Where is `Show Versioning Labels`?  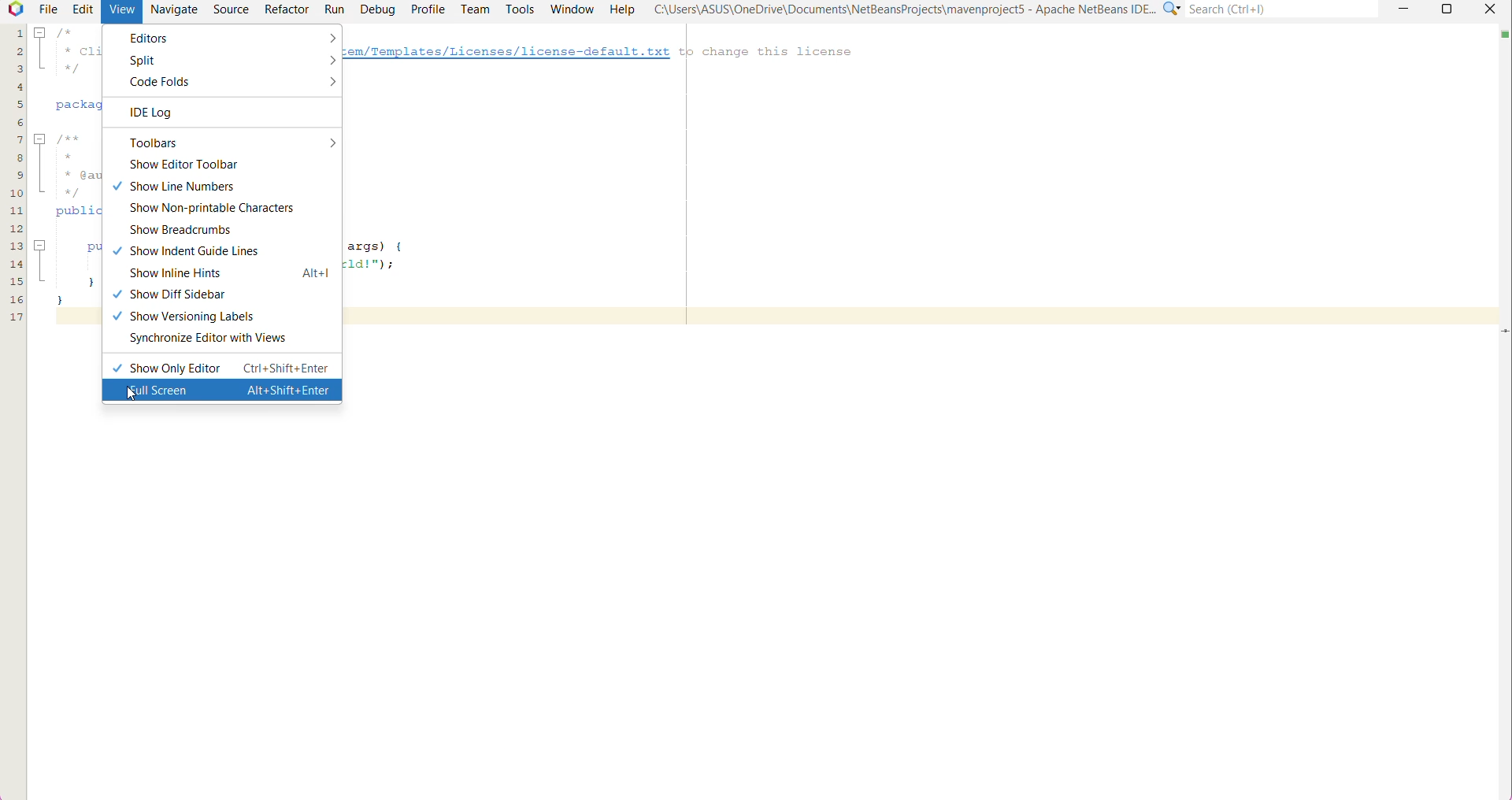 Show Versioning Labels is located at coordinates (209, 316).